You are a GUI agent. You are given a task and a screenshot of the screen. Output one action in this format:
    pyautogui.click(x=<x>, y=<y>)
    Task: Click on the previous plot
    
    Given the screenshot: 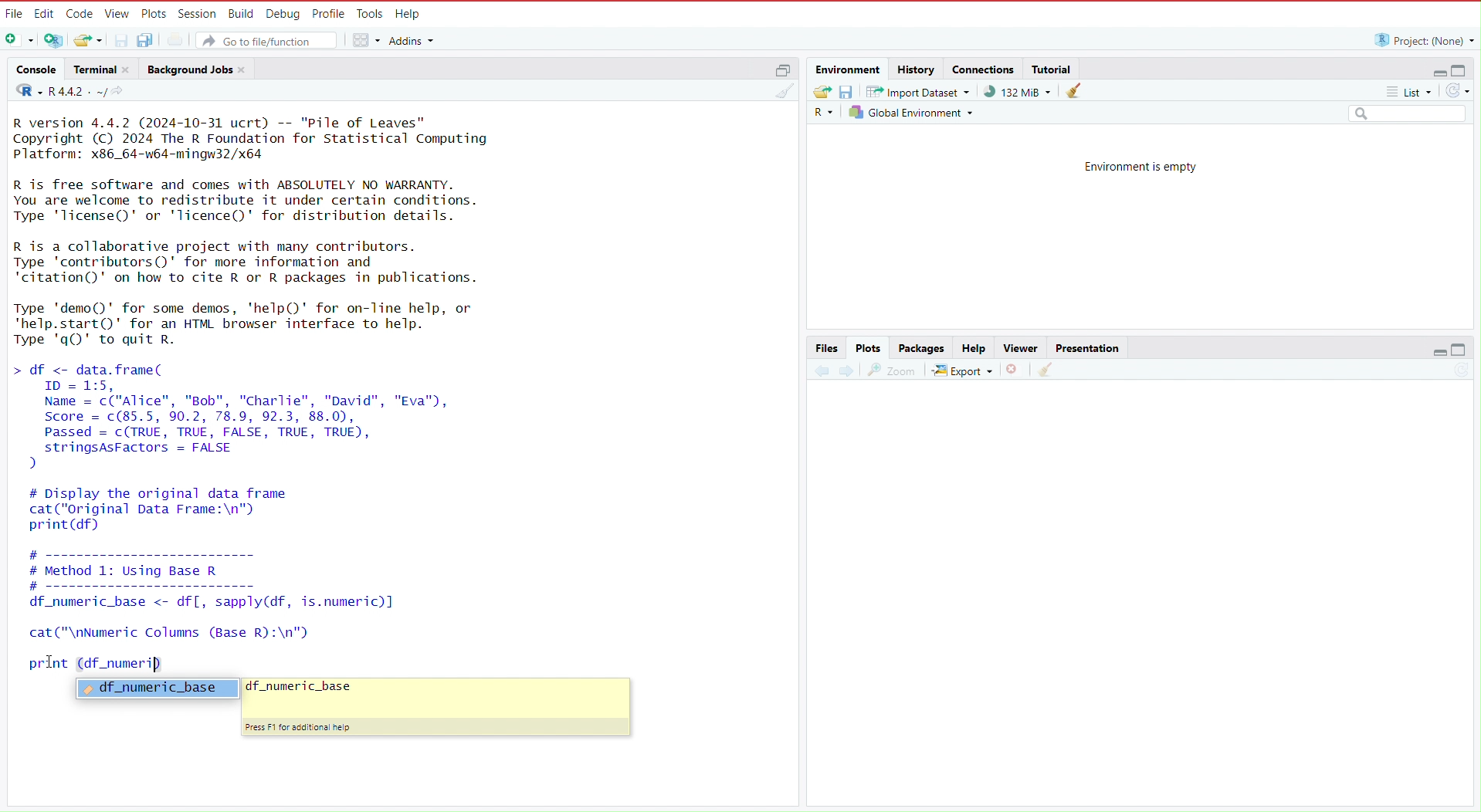 What is the action you would take?
    pyautogui.click(x=815, y=371)
    